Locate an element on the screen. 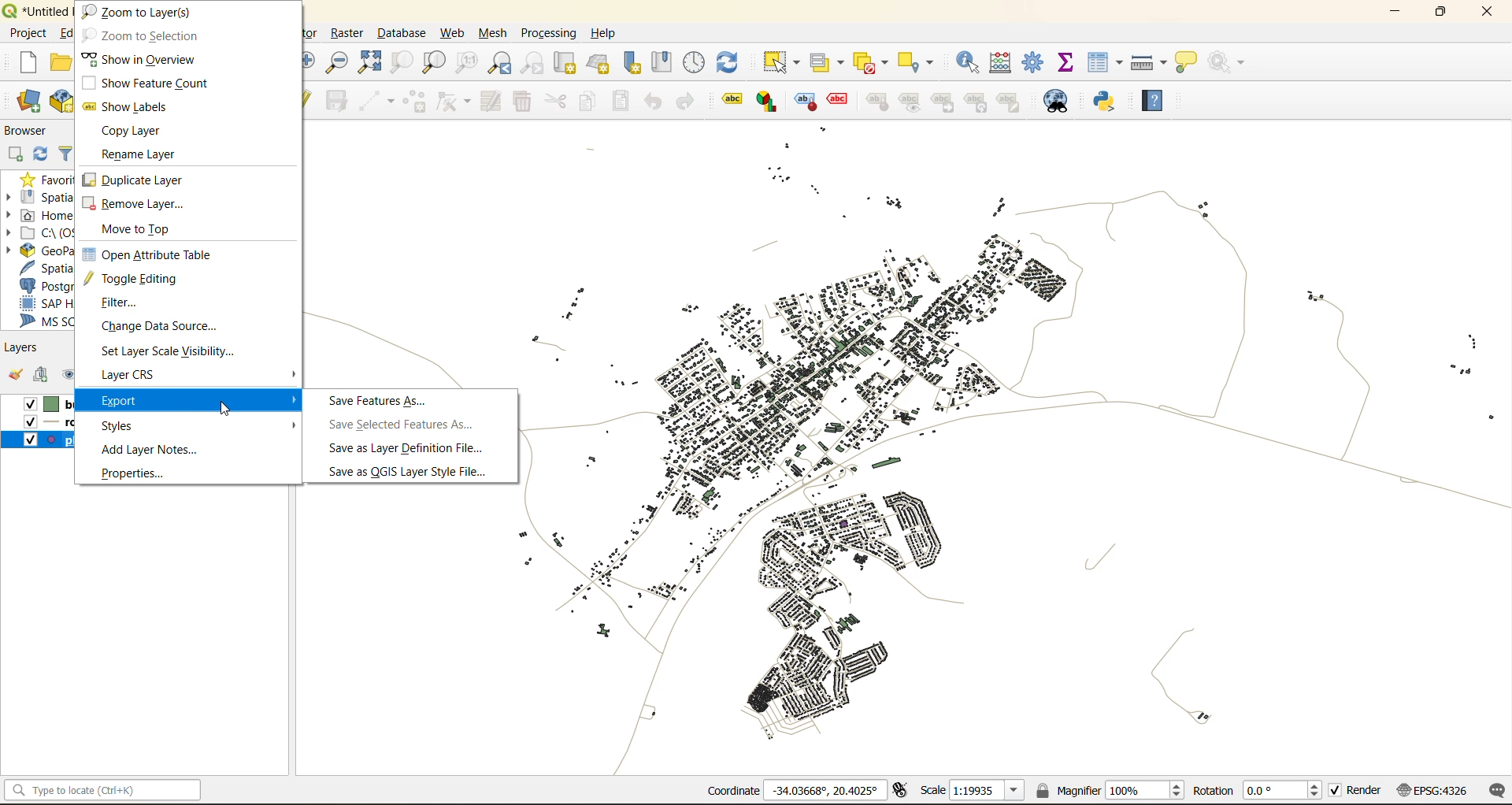 The image size is (1512, 805). metasearch is located at coordinates (1058, 102).